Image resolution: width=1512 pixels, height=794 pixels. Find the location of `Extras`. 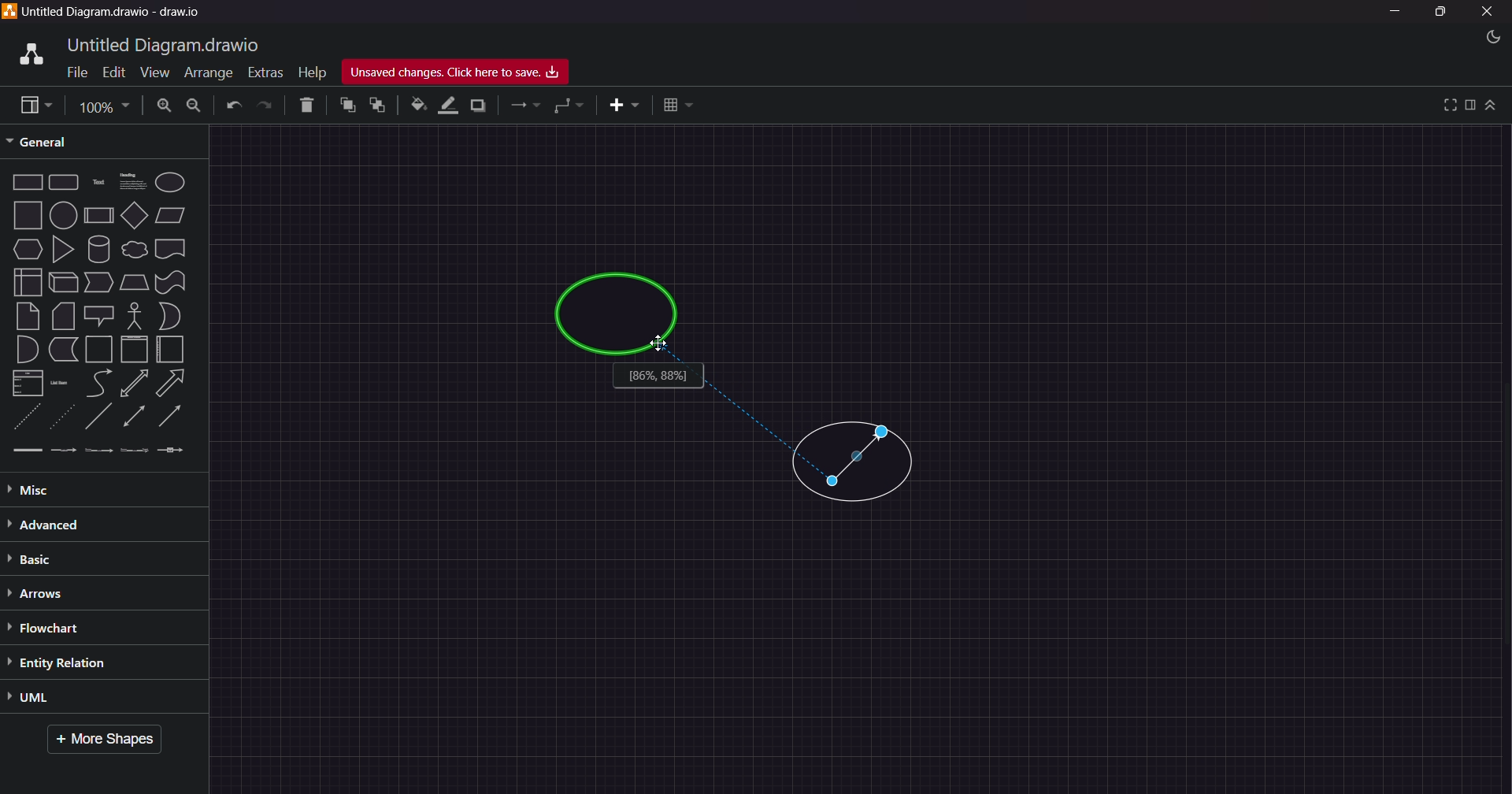

Extras is located at coordinates (265, 70).